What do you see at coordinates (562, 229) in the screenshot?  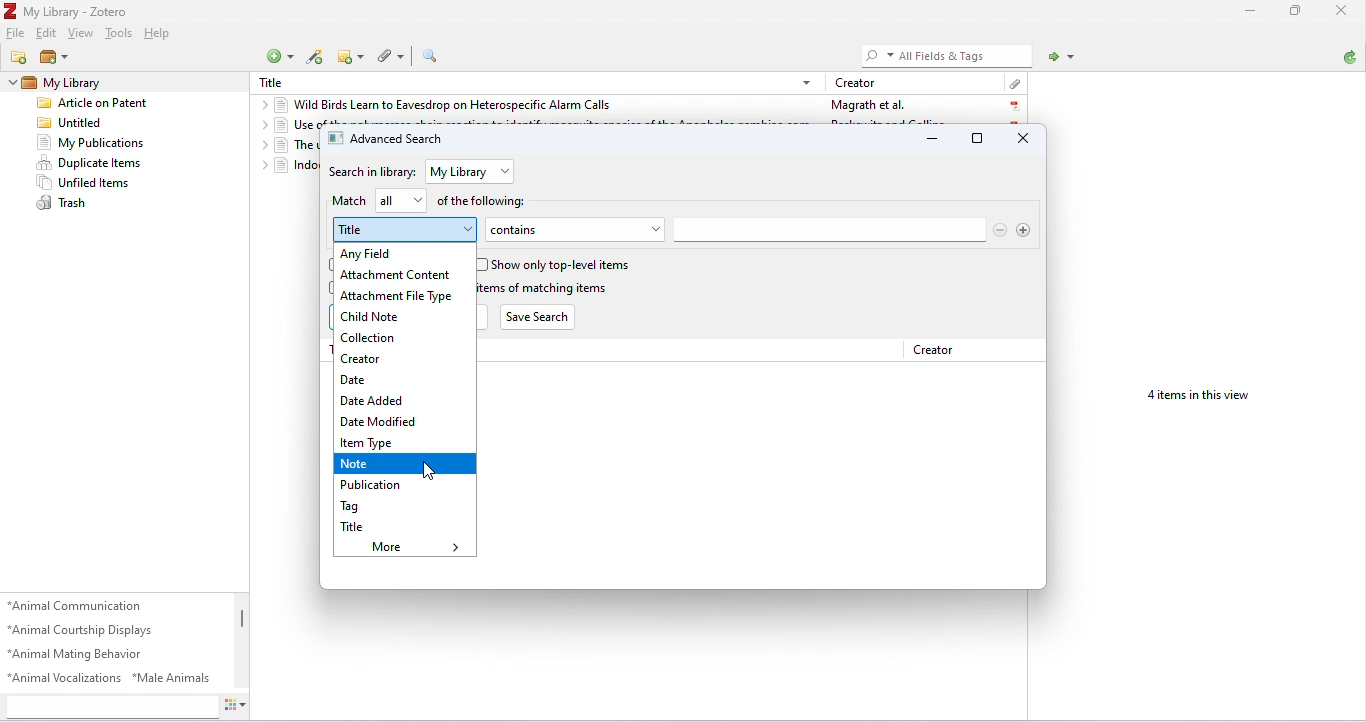 I see `contains` at bounding box center [562, 229].